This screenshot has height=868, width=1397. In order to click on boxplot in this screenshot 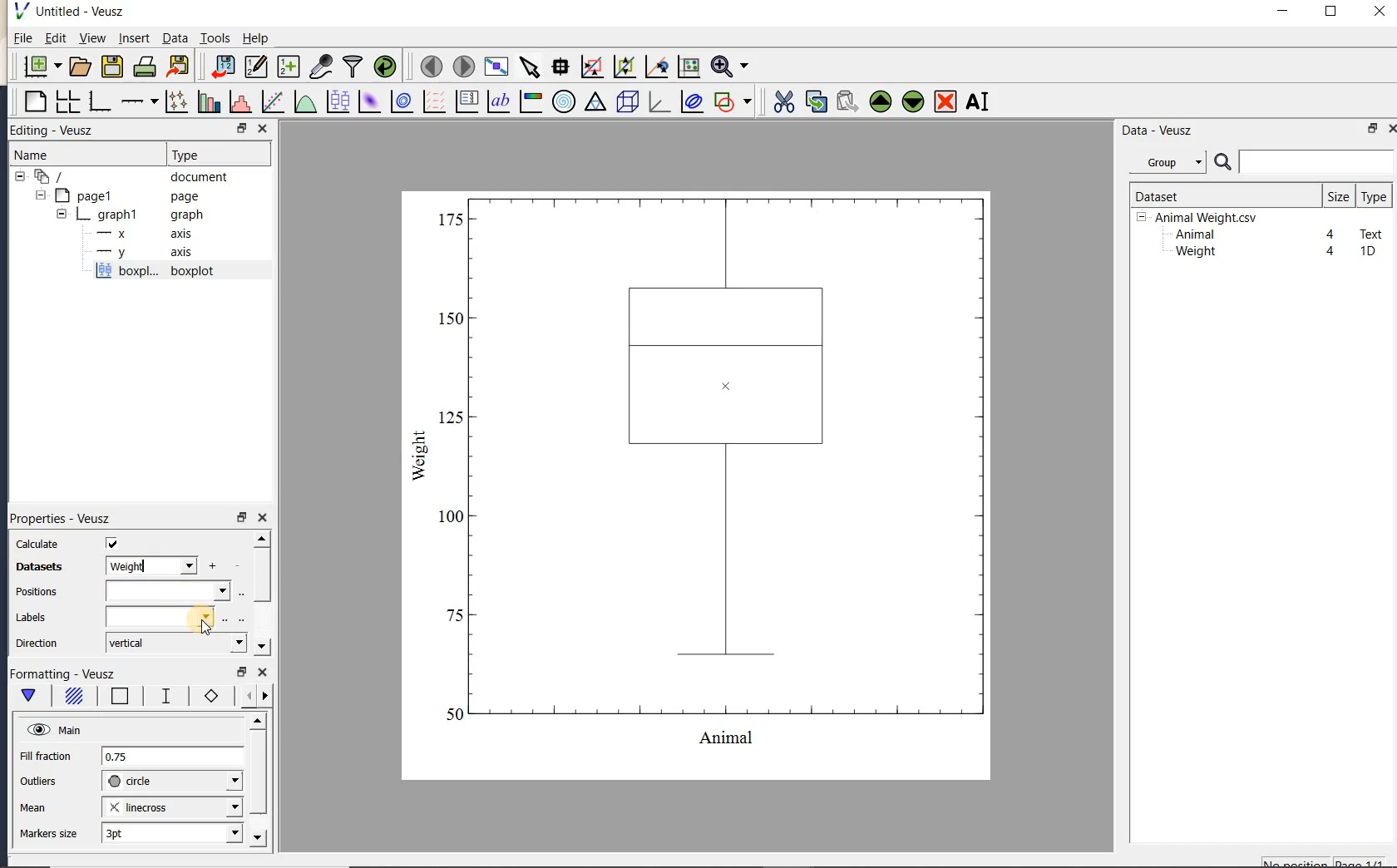, I will do `click(174, 273)`.